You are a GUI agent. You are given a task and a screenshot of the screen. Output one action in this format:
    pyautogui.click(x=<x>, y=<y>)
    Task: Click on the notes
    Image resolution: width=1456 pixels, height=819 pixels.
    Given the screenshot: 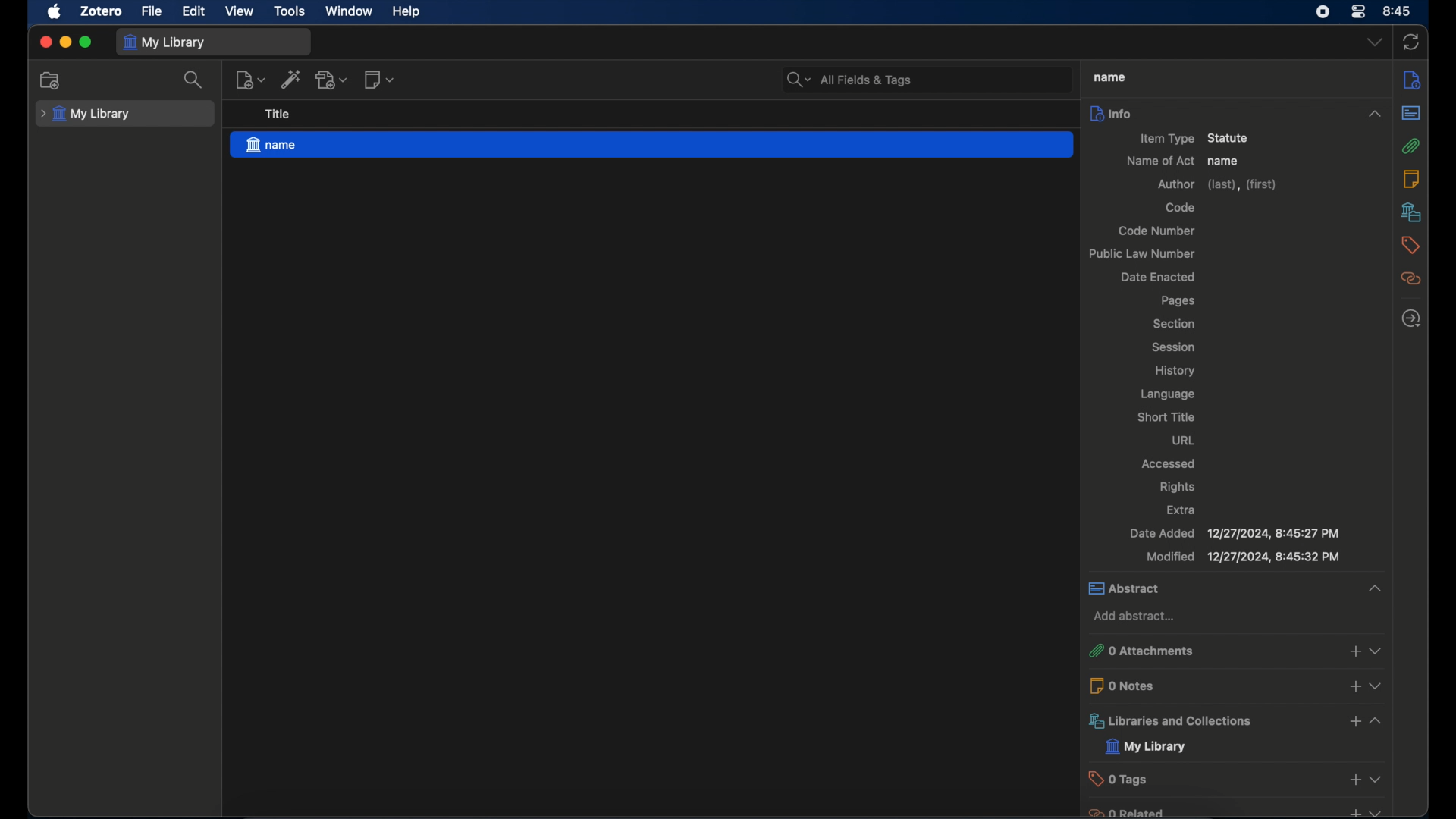 What is the action you would take?
    pyautogui.click(x=1411, y=177)
    